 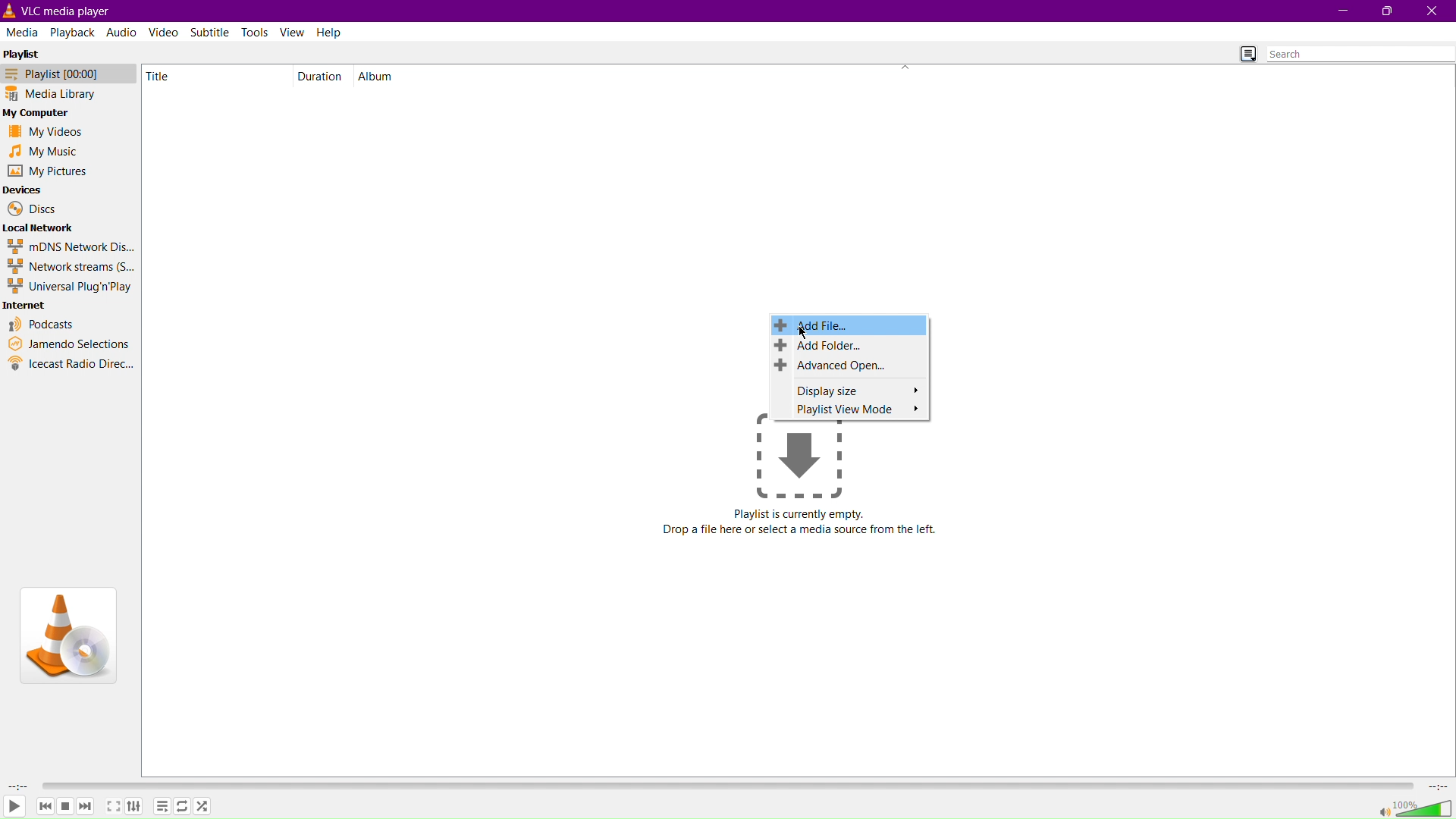 What do you see at coordinates (42, 133) in the screenshot?
I see `My Videos` at bounding box center [42, 133].